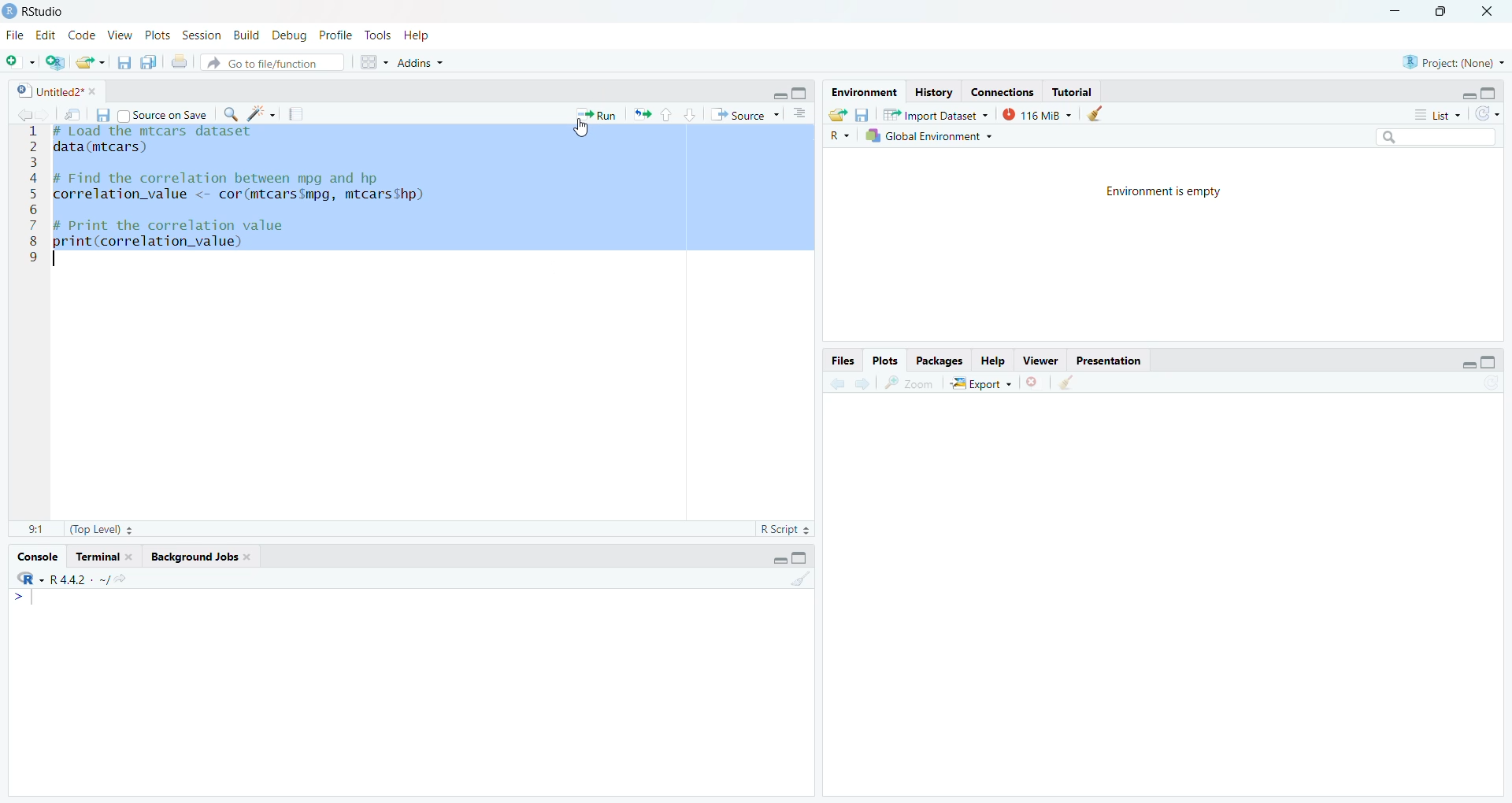 The image size is (1512, 803). What do you see at coordinates (1108, 359) in the screenshot?
I see `Presentation` at bounding box center [1108, 359].